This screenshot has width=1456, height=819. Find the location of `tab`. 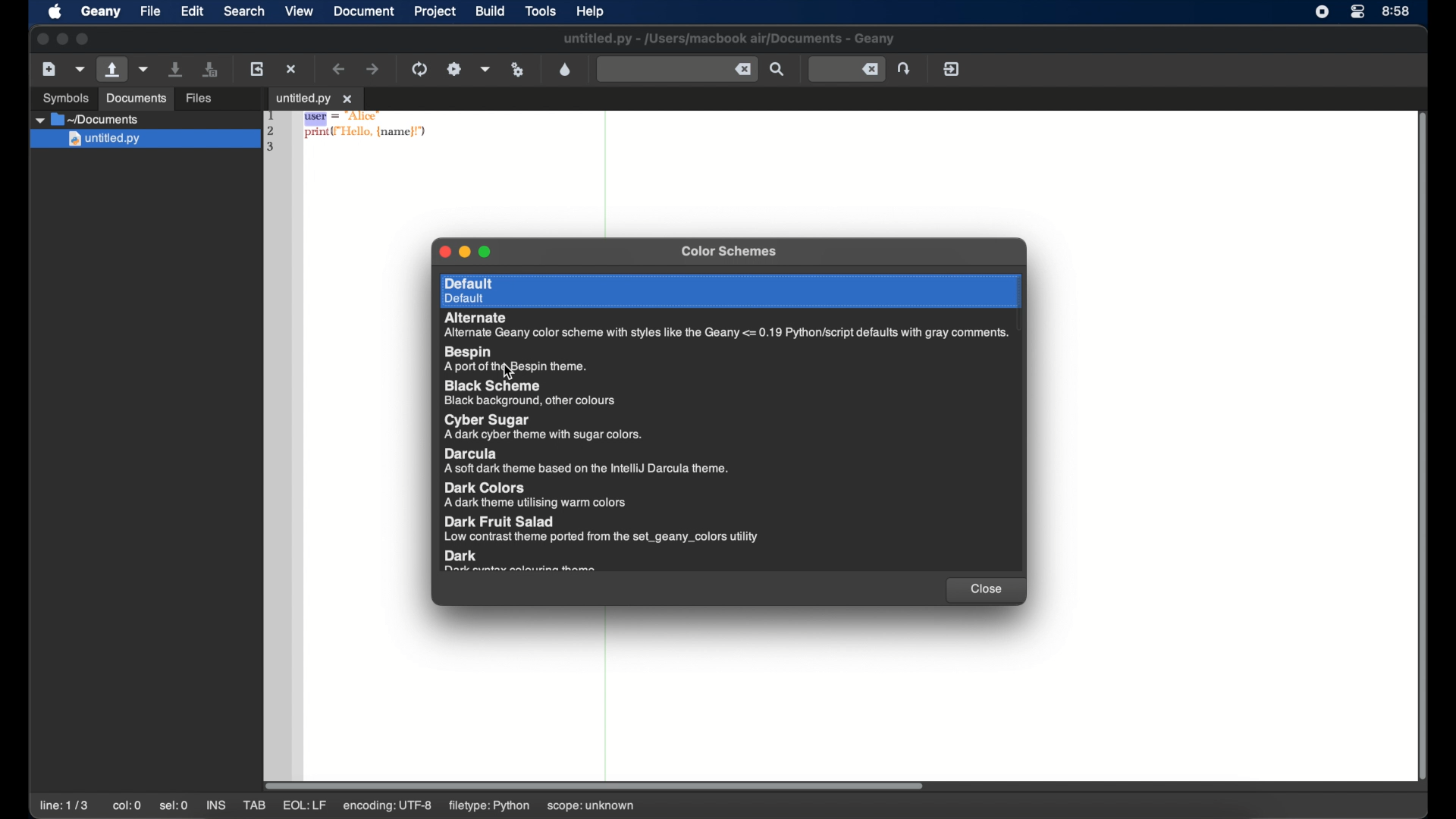

tab is located at coordinates (315, 99).